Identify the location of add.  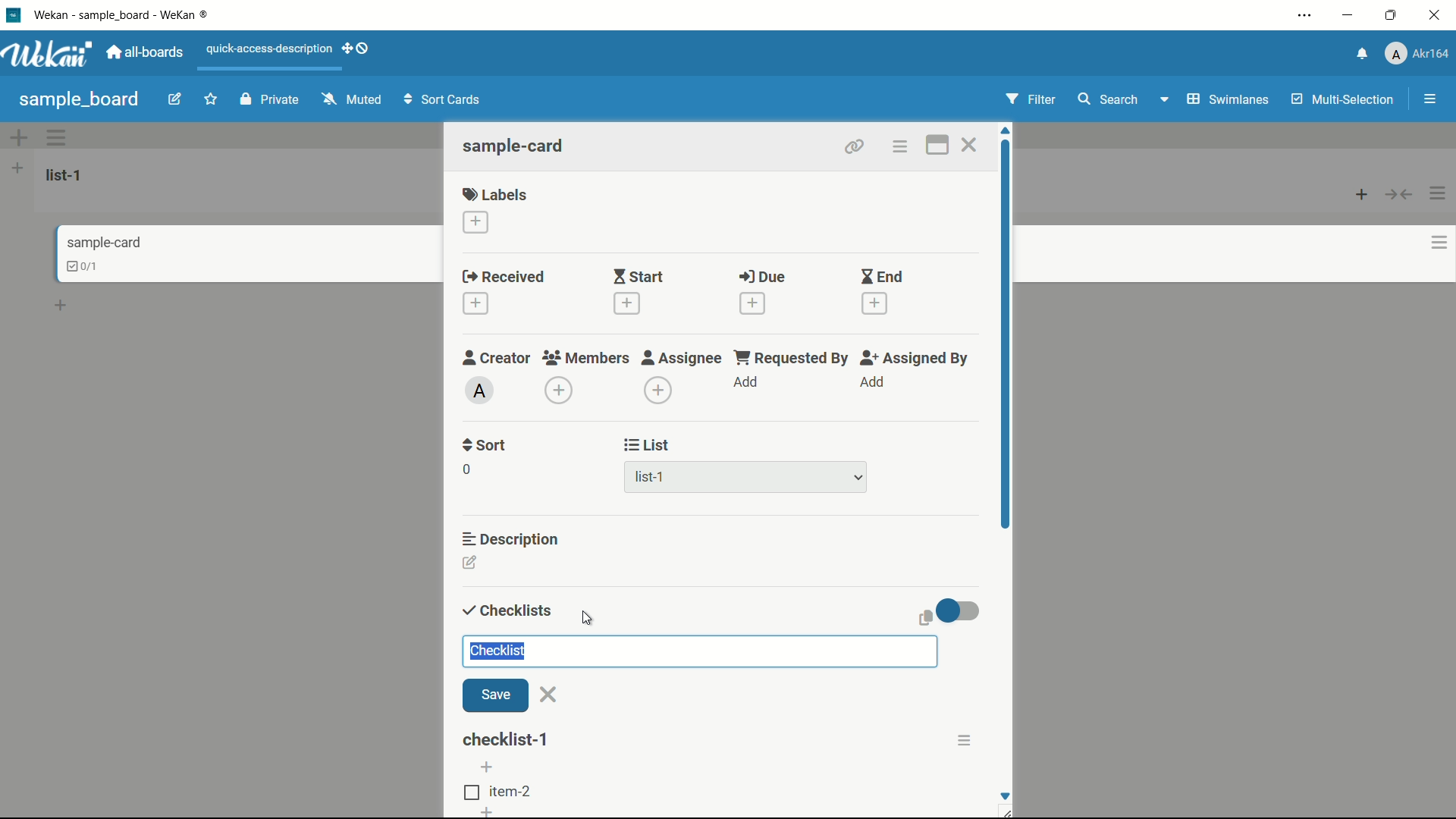
(747, 383).